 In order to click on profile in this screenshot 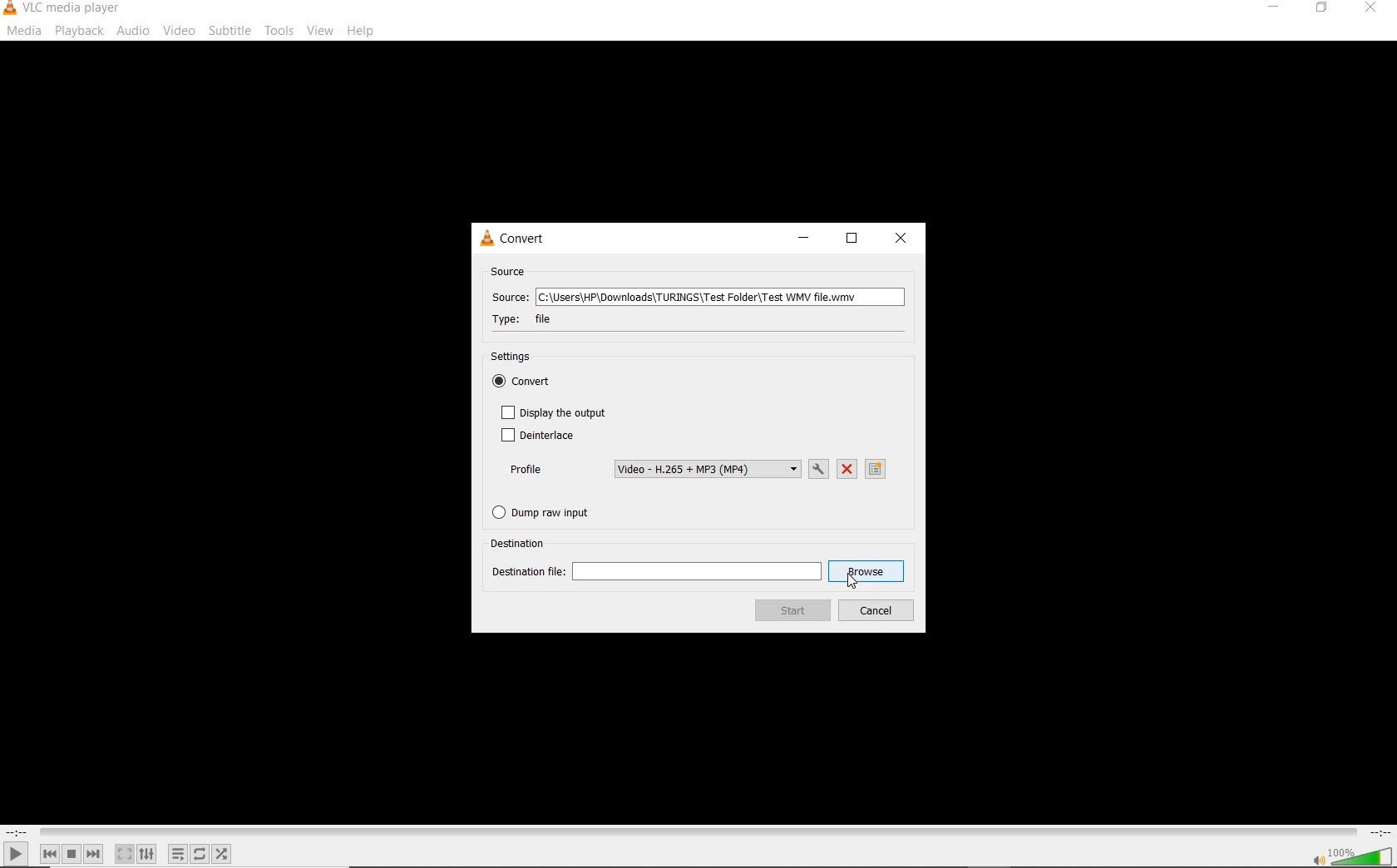, I will do `click(526, 470)`.